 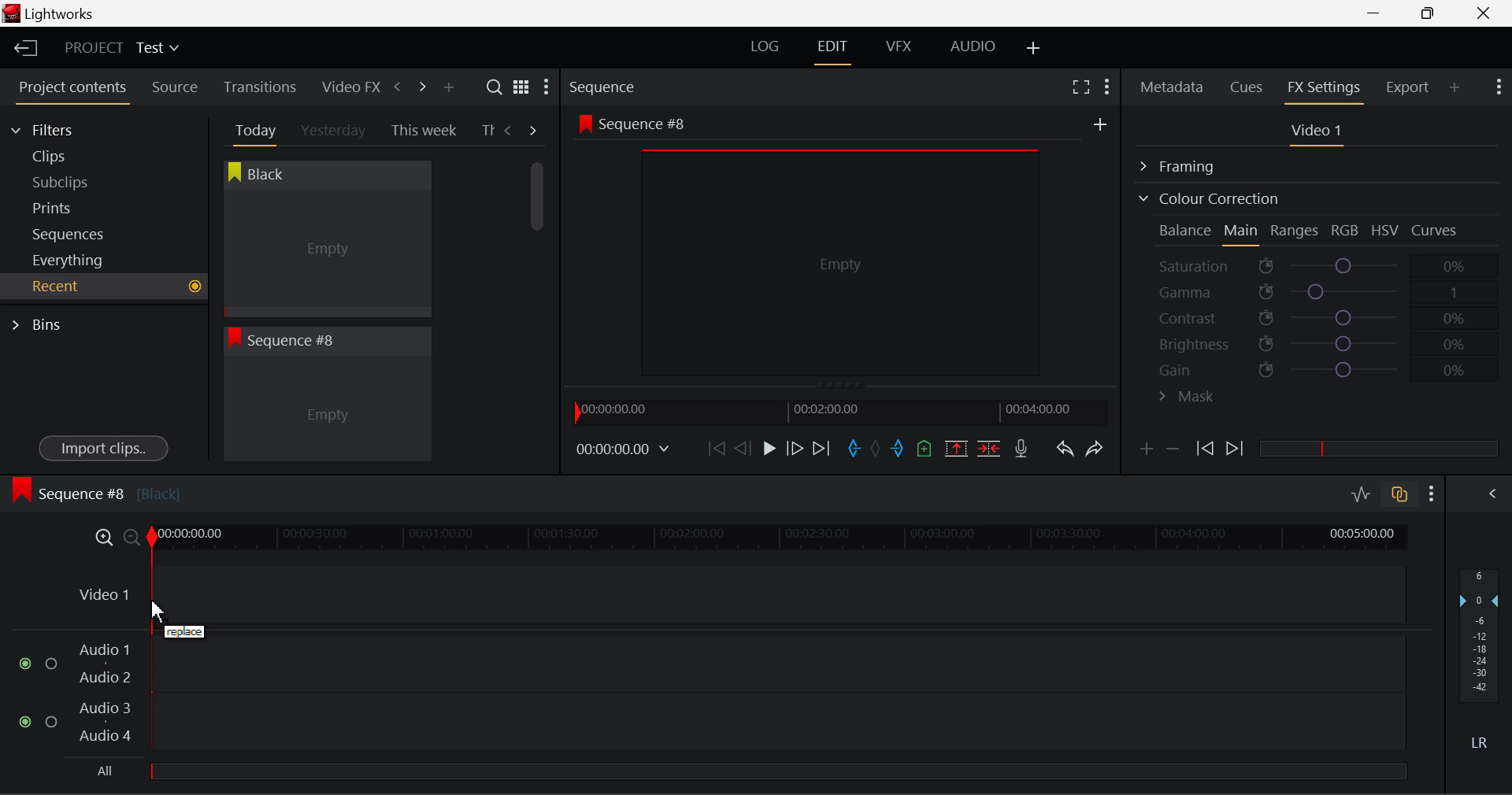 What do you see at coordinates (972, 46) in the screenshot?
I see `AUDIO Layout` at bounding box center [972, 46].